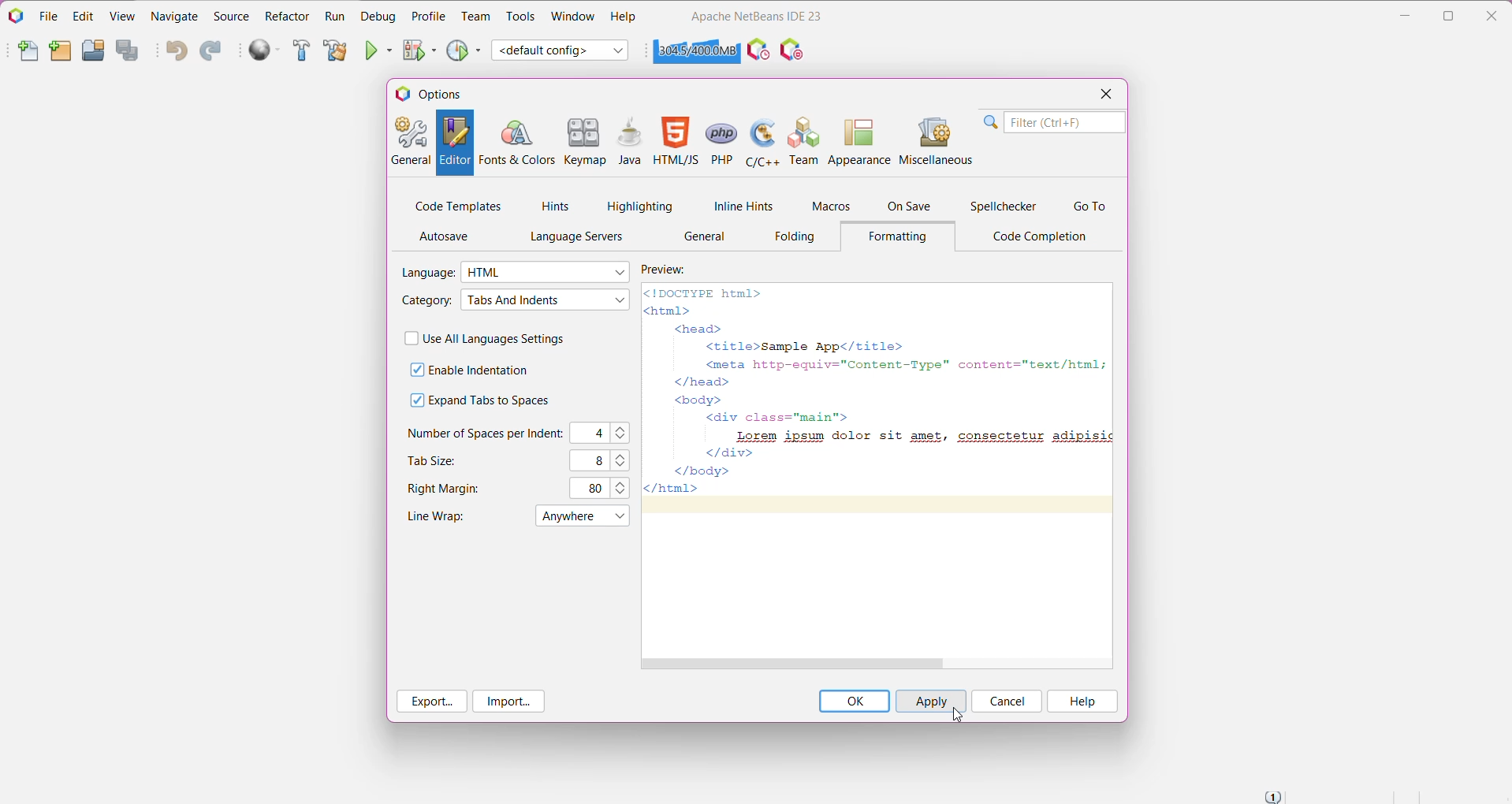  I want to click on cursor, so click(956, 715).